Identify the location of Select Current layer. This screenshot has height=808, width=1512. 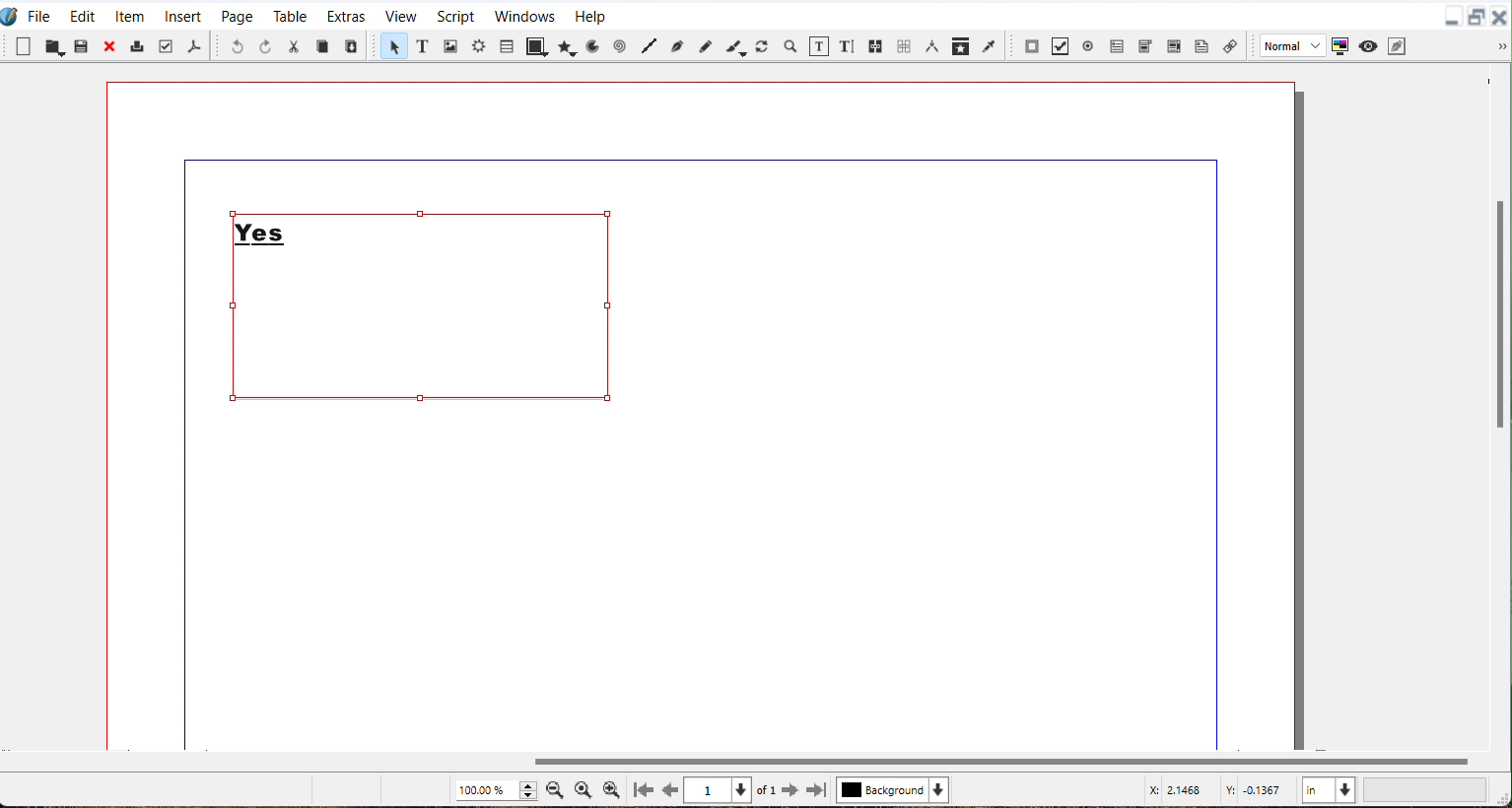
(896, 790).